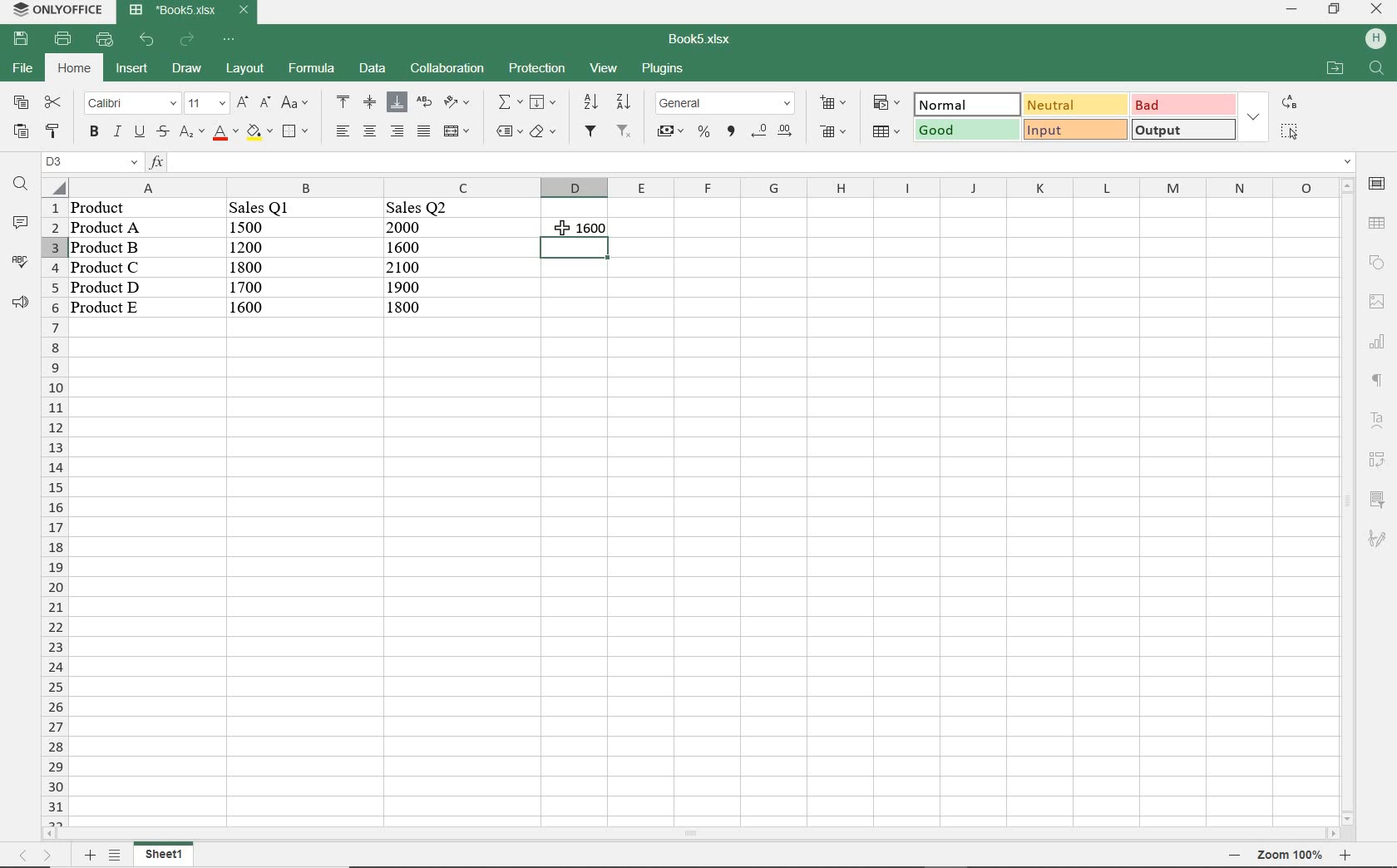  What do you see at coordinates (565, 227) in the screenshot?
I see `cursor` at bounding box center [565, 227].